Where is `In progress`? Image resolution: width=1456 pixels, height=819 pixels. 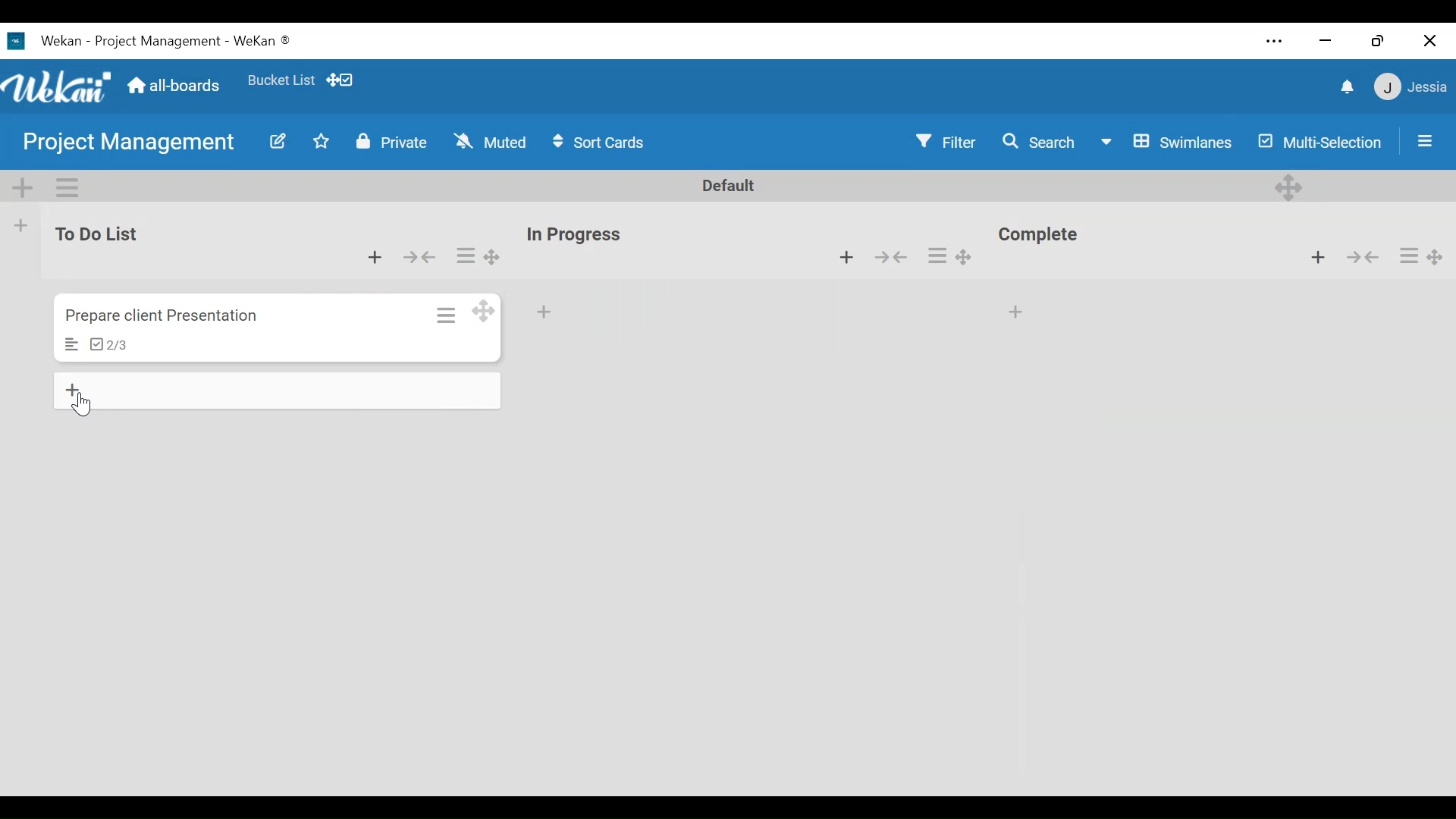 In progress is located at coordinates (579, 234).